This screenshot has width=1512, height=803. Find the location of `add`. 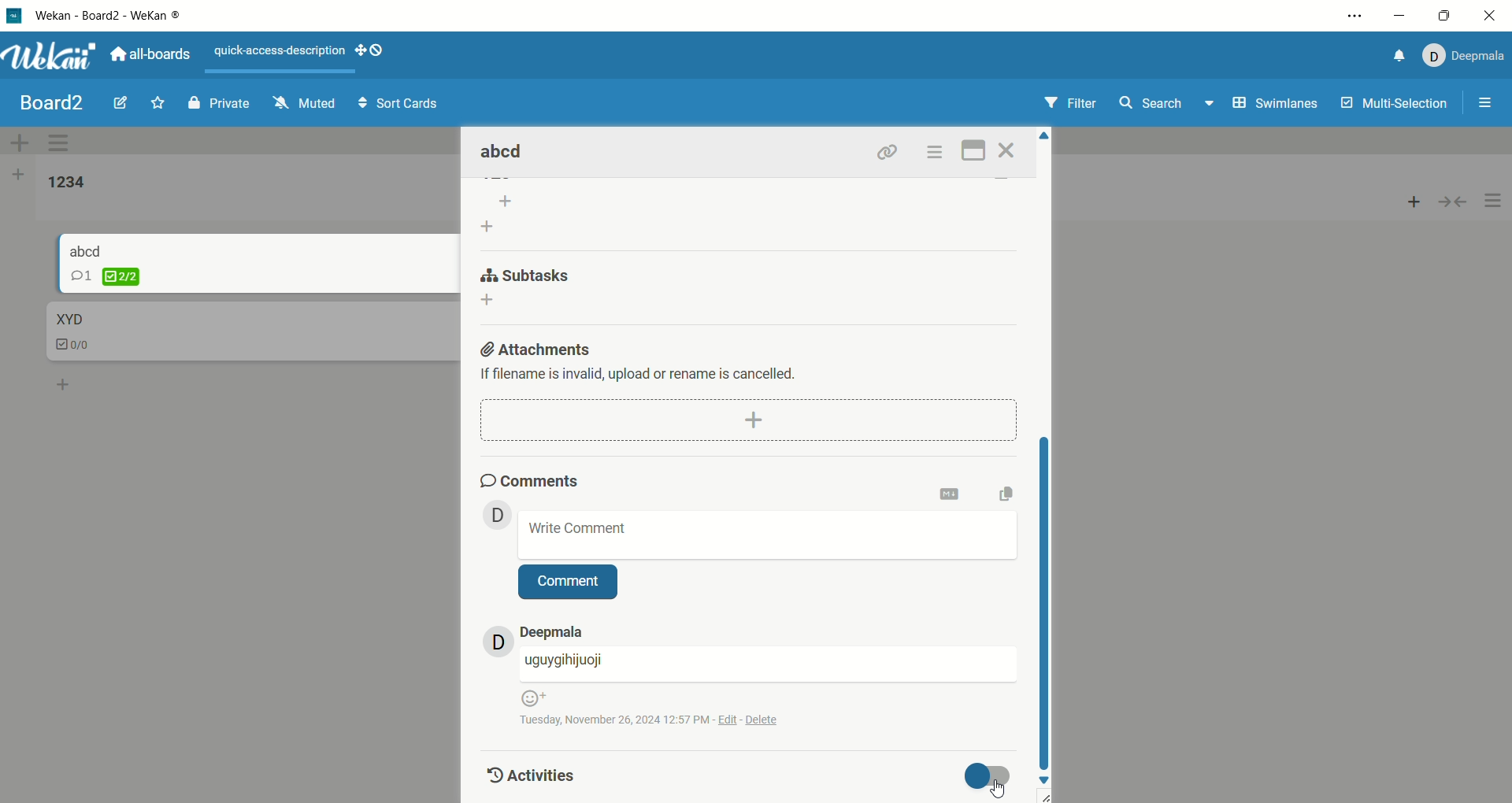

add is located at coordinates (1414, 198).